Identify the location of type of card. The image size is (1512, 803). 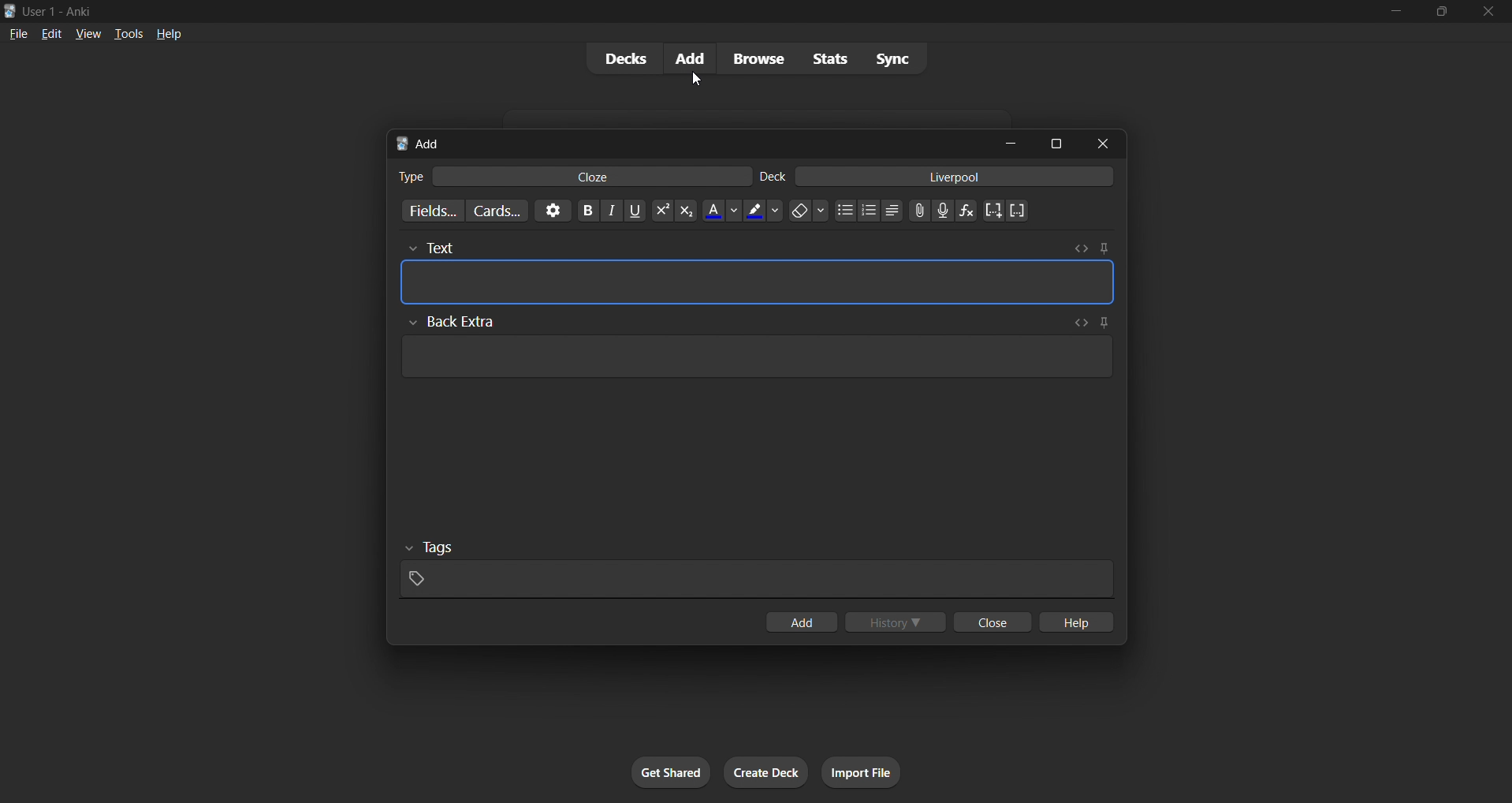
(406, 177).